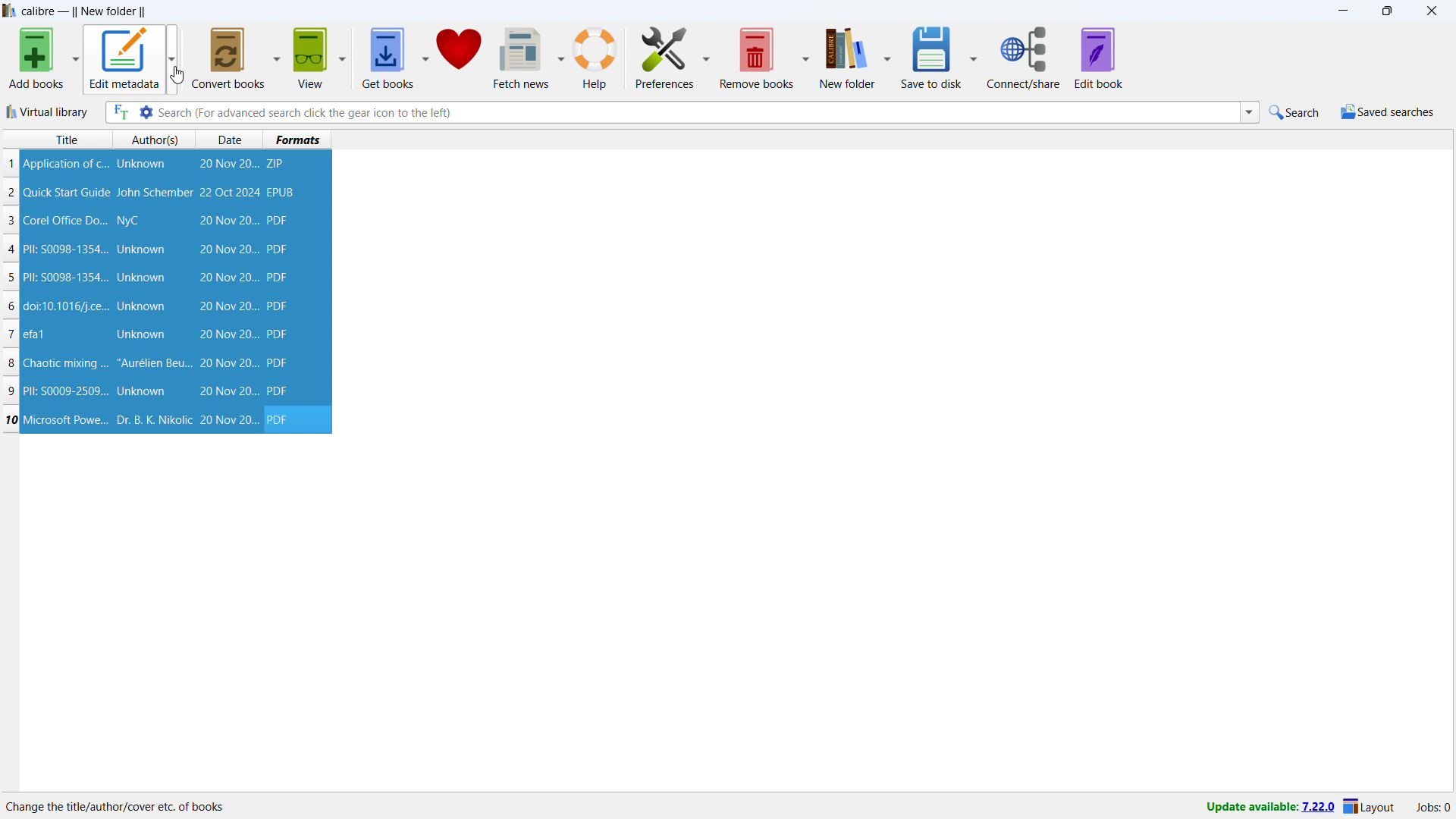 This screenshot has width=1456, height=819. Describe the element at coordinates (757, 58) in the screenshot. I see `remove books` at that location.